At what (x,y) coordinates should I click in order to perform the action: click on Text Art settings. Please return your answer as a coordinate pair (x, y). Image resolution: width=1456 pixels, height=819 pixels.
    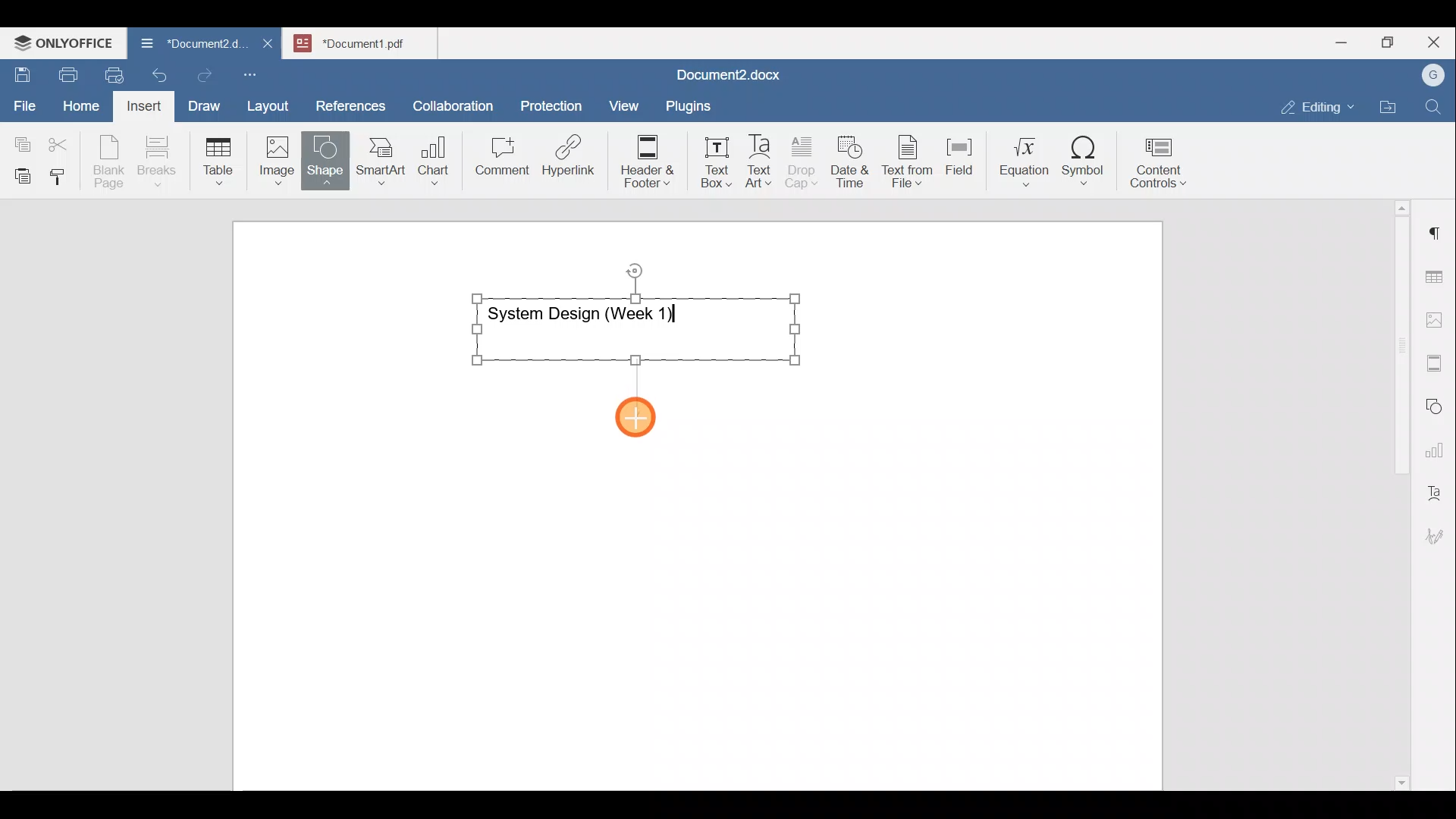
    Looking at the image, I should click on (1436, 487).